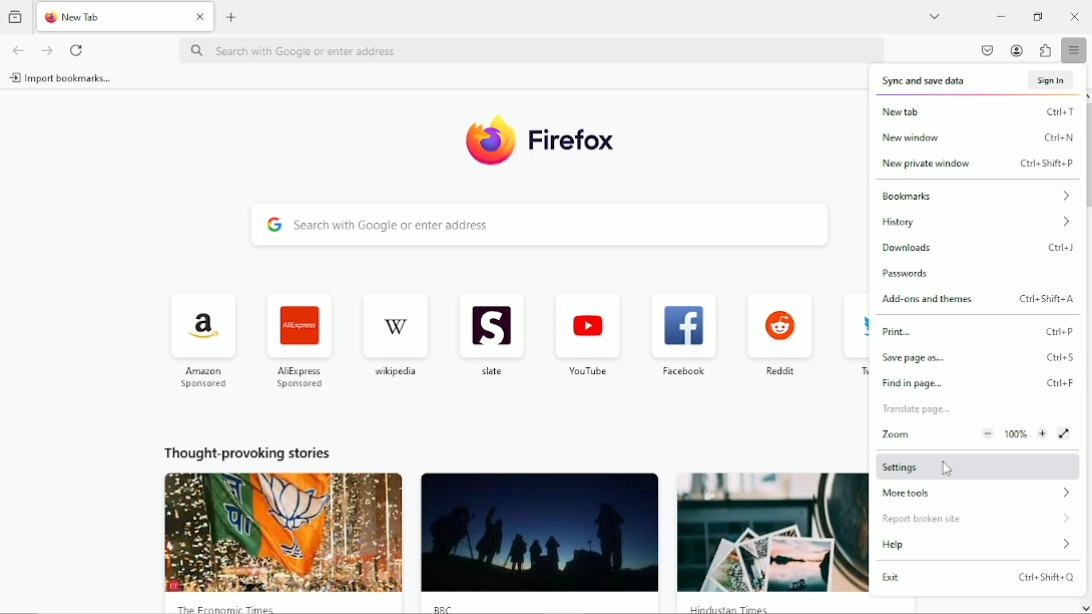  What do you see at coordinates (1075, 15) in the screenshot?
I see `Close` at bounding box center [1075, 15].